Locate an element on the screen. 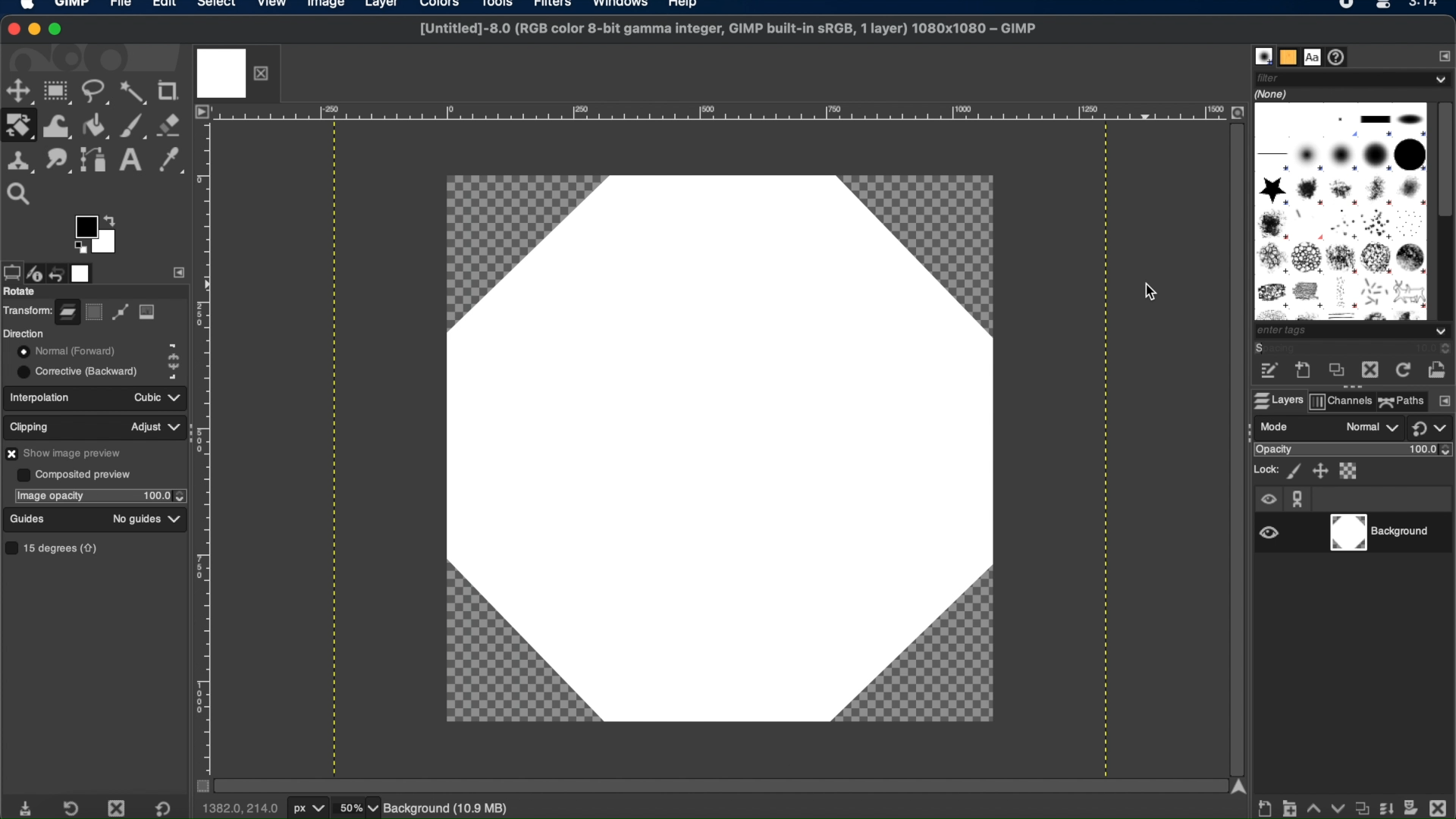 The image size is (1456, 819). save tool preset is located at coordinates (28, 807).